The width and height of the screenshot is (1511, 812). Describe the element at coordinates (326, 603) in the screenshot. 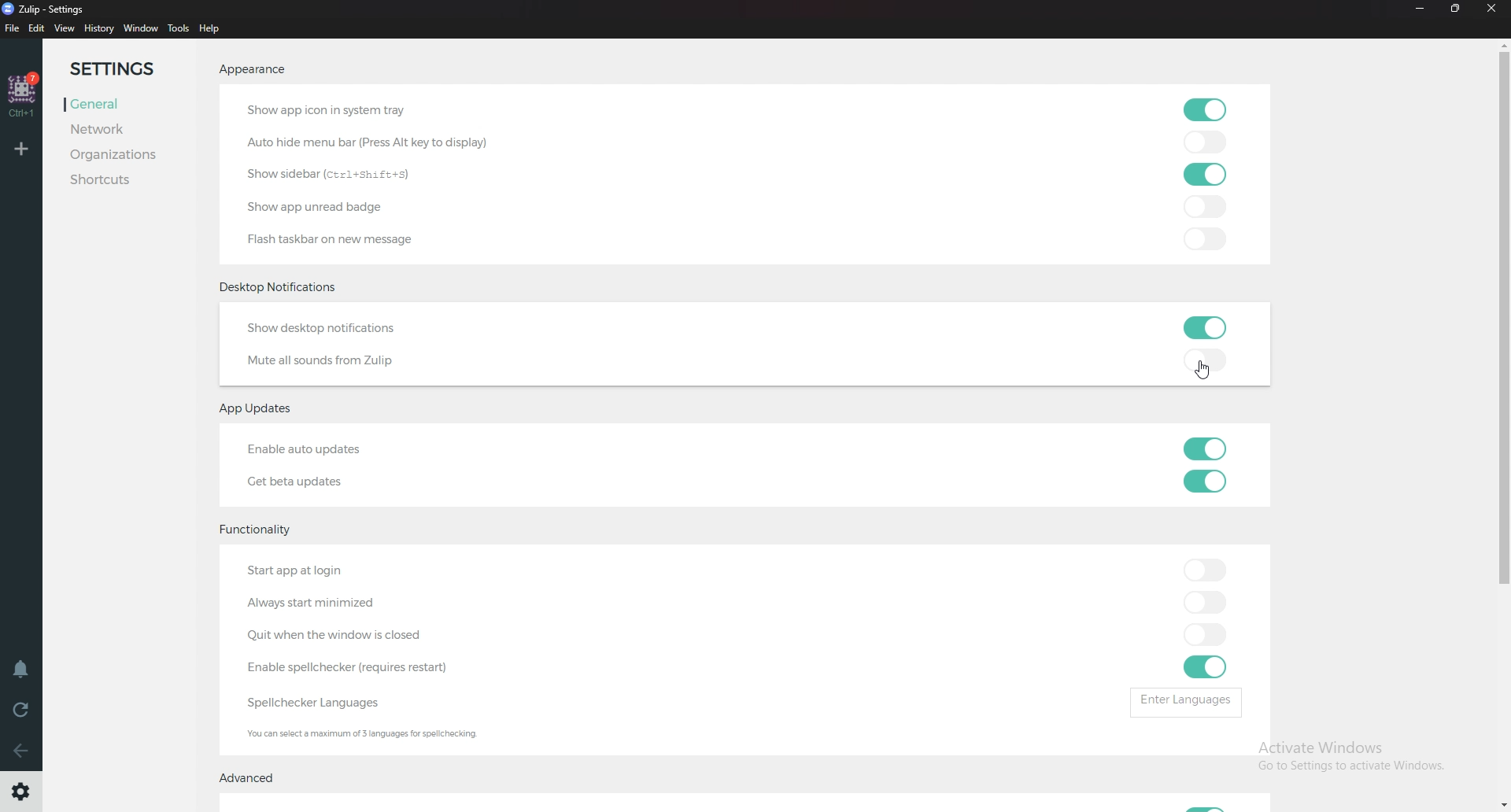

I see `Always start minimized` at that location.